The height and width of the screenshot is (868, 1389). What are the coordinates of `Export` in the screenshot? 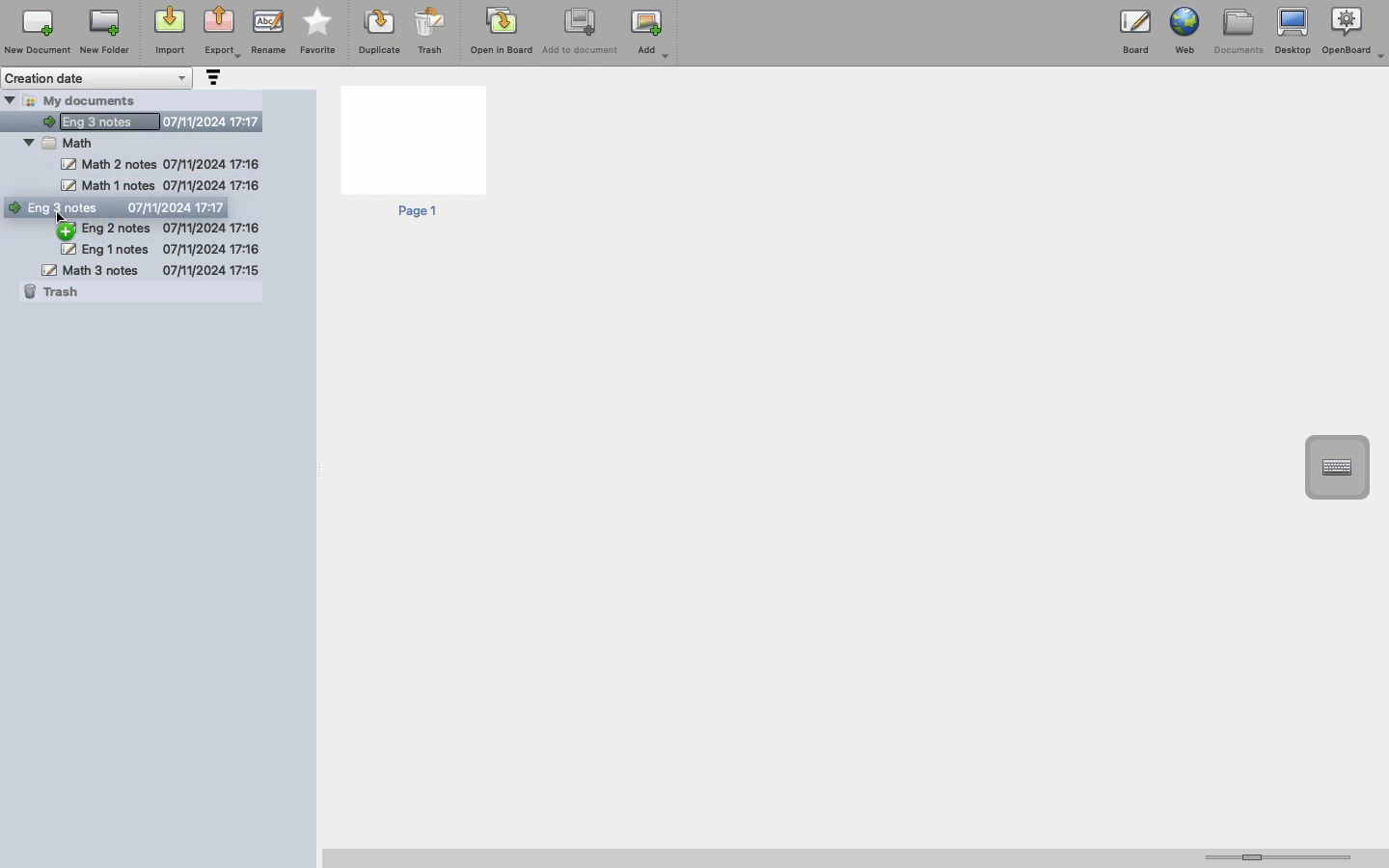 It's located at (222, 34).